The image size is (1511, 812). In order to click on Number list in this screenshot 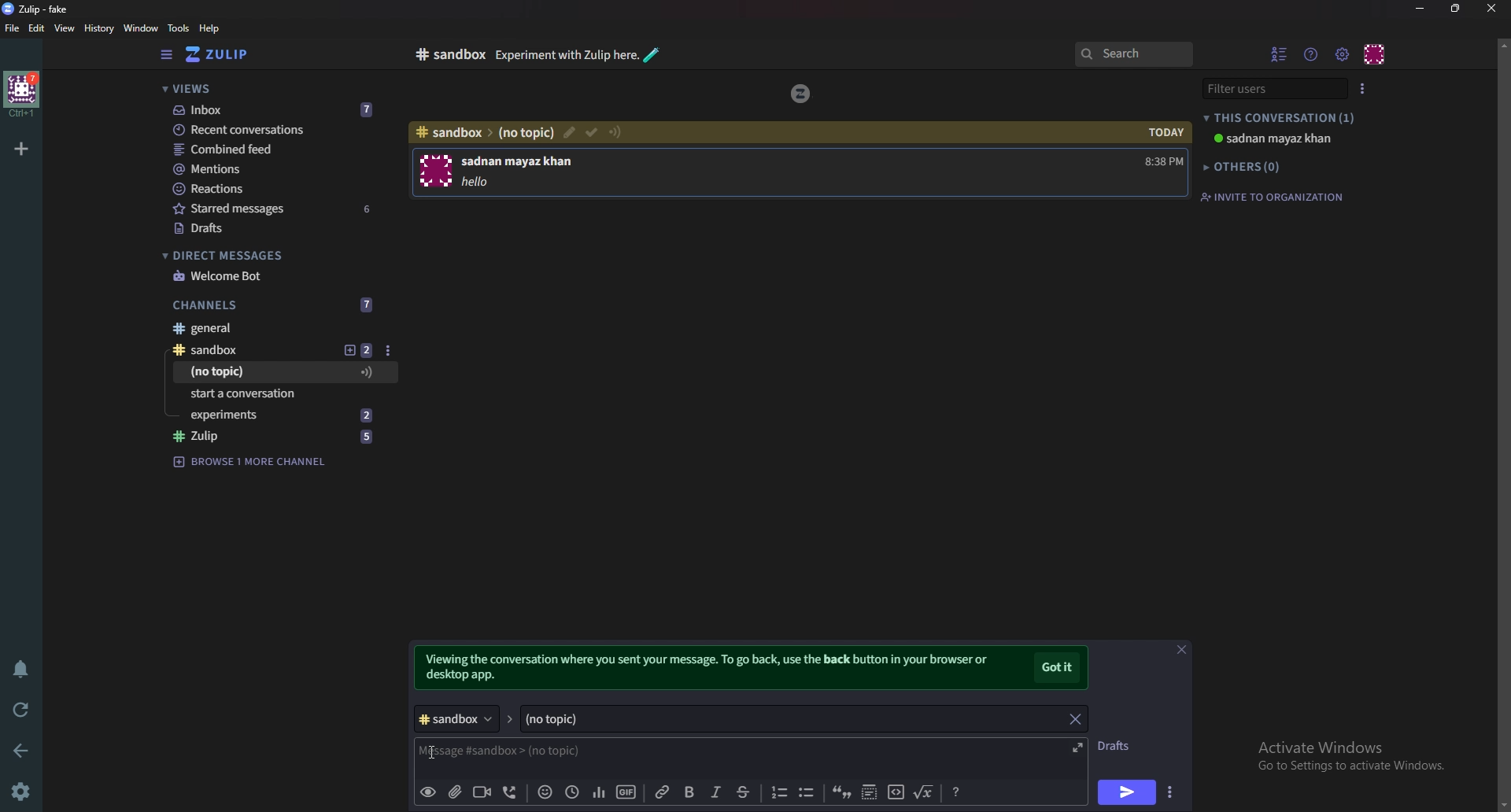, I will do `click(777, 792)`.